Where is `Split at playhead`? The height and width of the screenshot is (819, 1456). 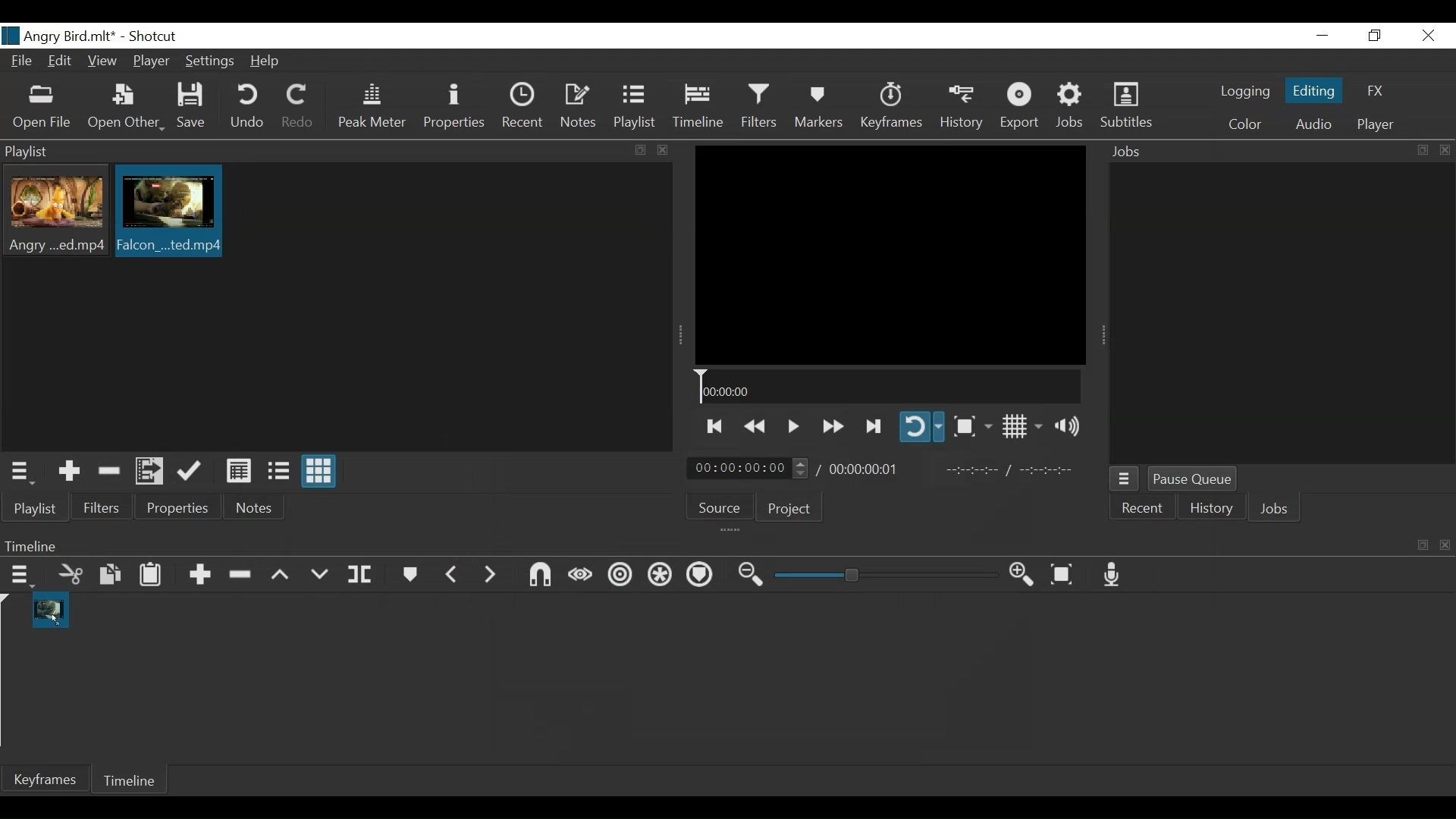 Split at playhead is located at coordinates (360, 575).